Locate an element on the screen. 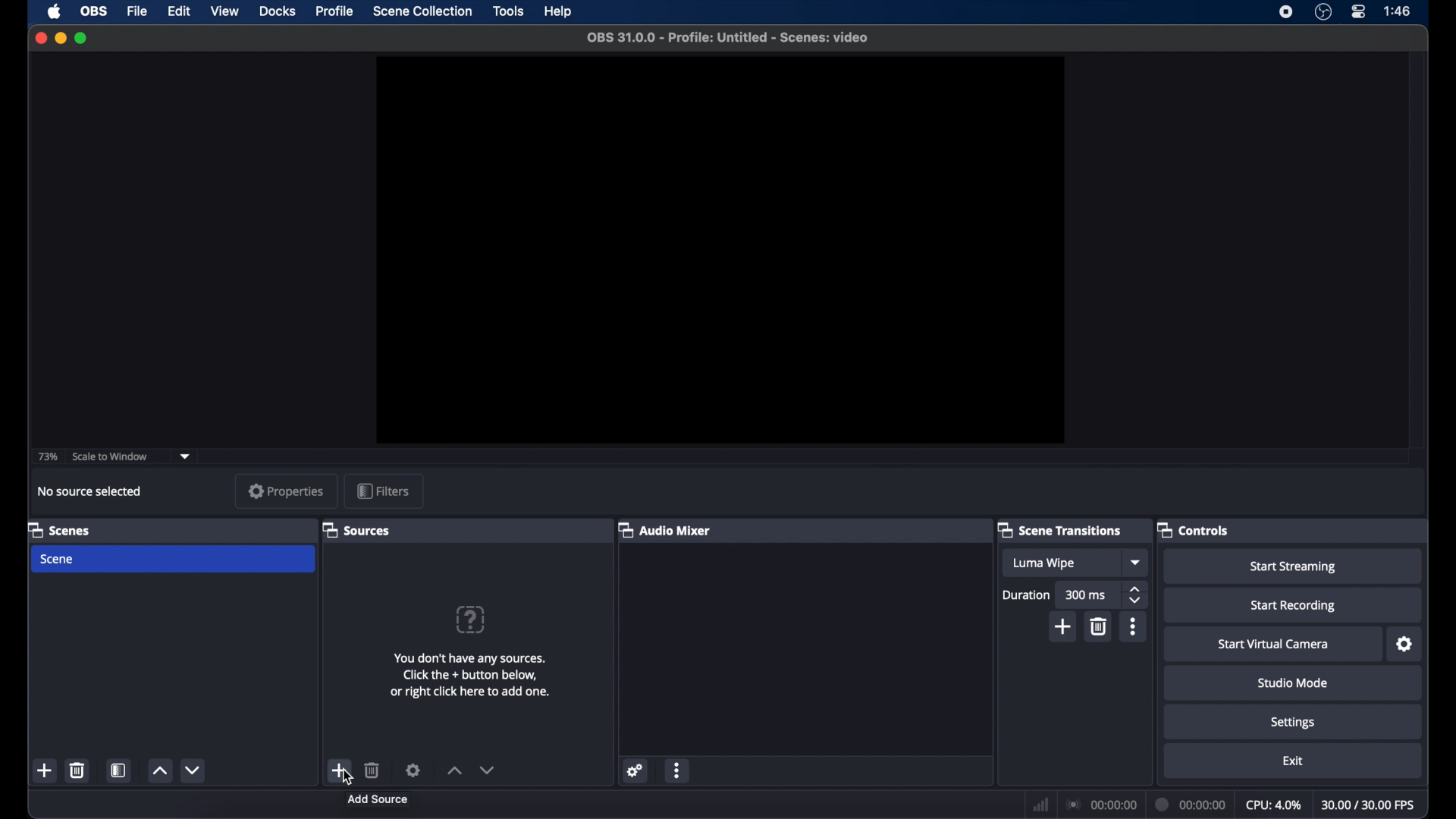 This screenshot has width=1456, height=819. connection is located at coordinates (1101, 803).